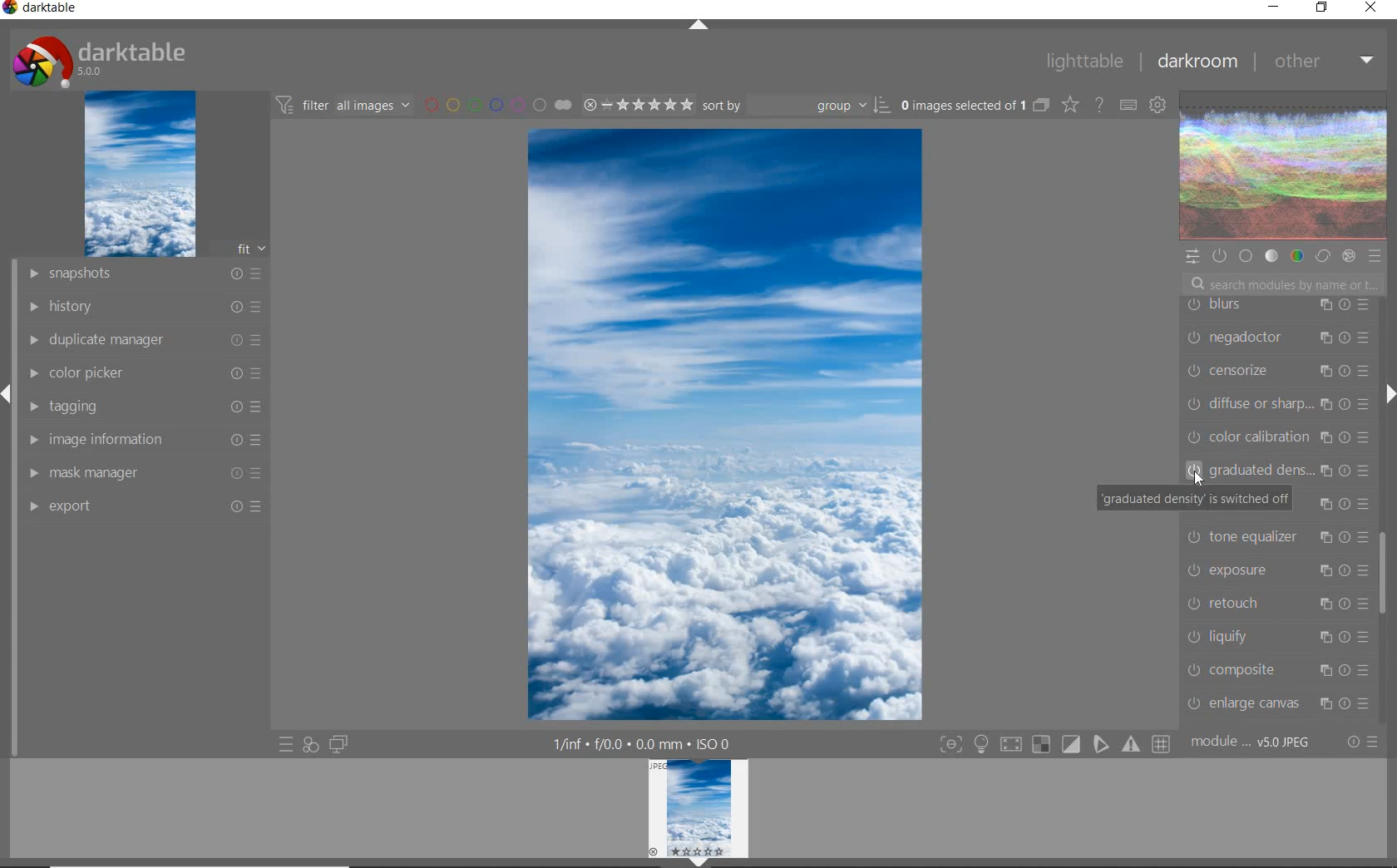 The image size is (1397, 868). Describe the element at coordinates (1283, 284) in the screenshot. I see `SEARCH MODULES` at that location.